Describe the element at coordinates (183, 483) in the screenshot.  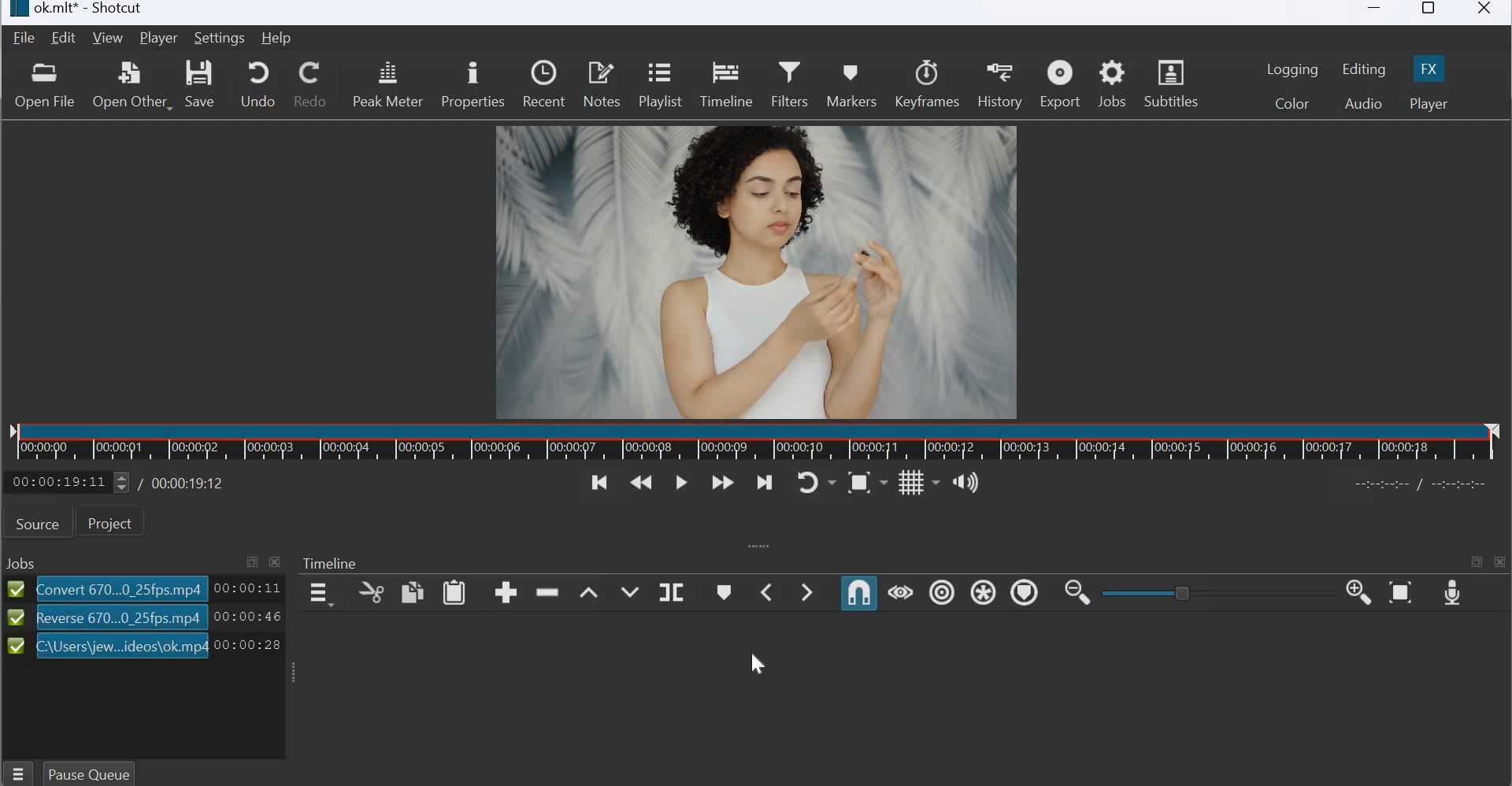
I see `Total duration` at that location.